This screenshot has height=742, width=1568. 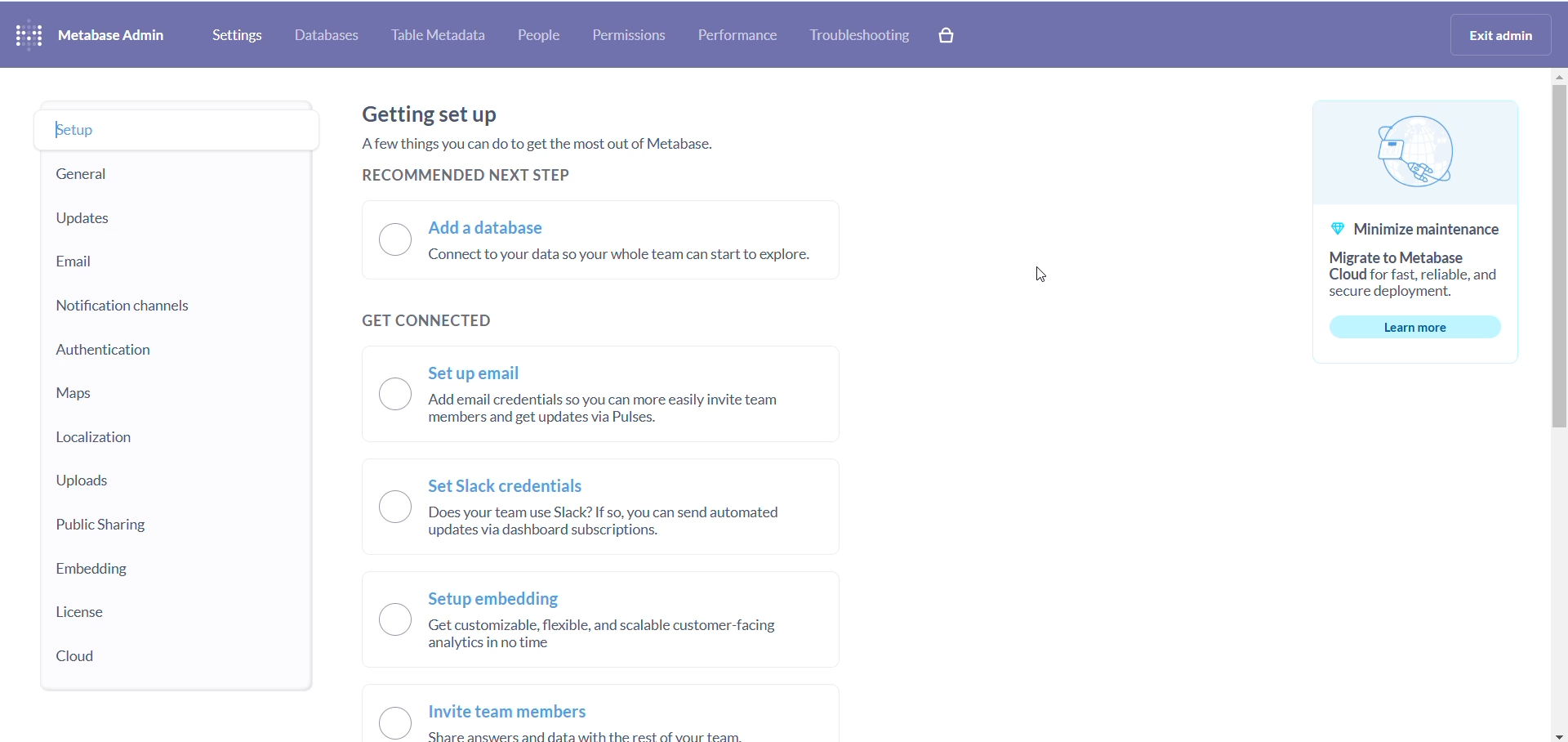 I want to click on localization, so click(x=100, y=436).